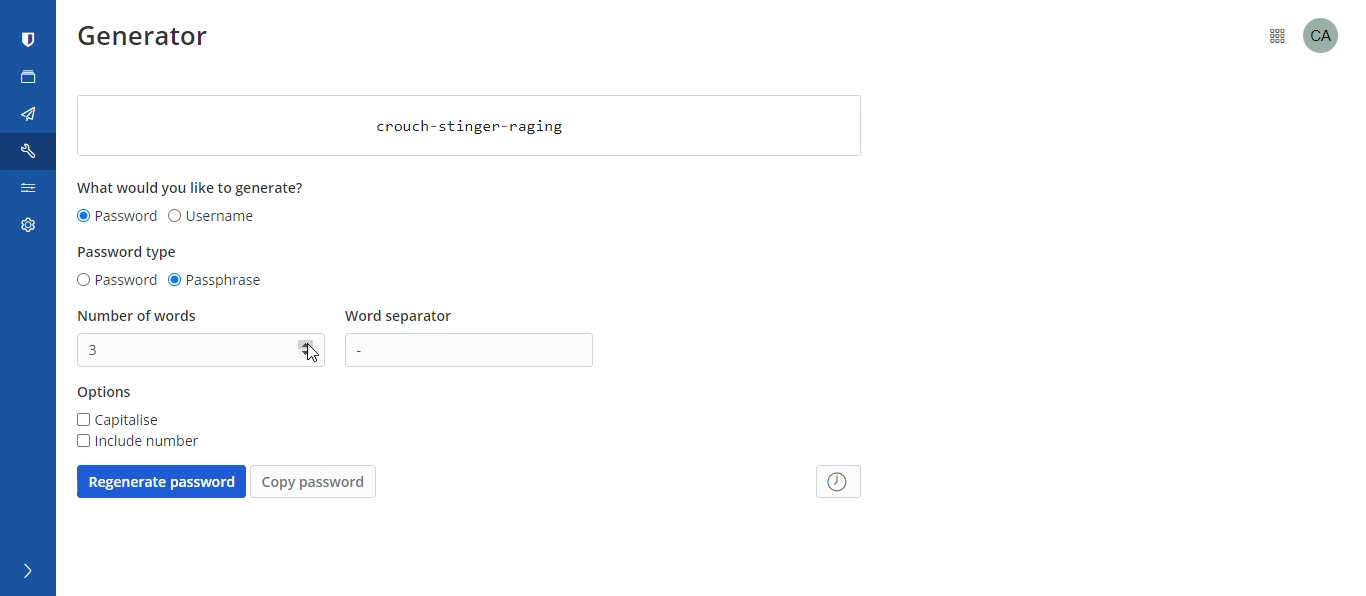 The width and height of the screenshot is (1366, 596). I want to click on cursor, so click(310, 354).